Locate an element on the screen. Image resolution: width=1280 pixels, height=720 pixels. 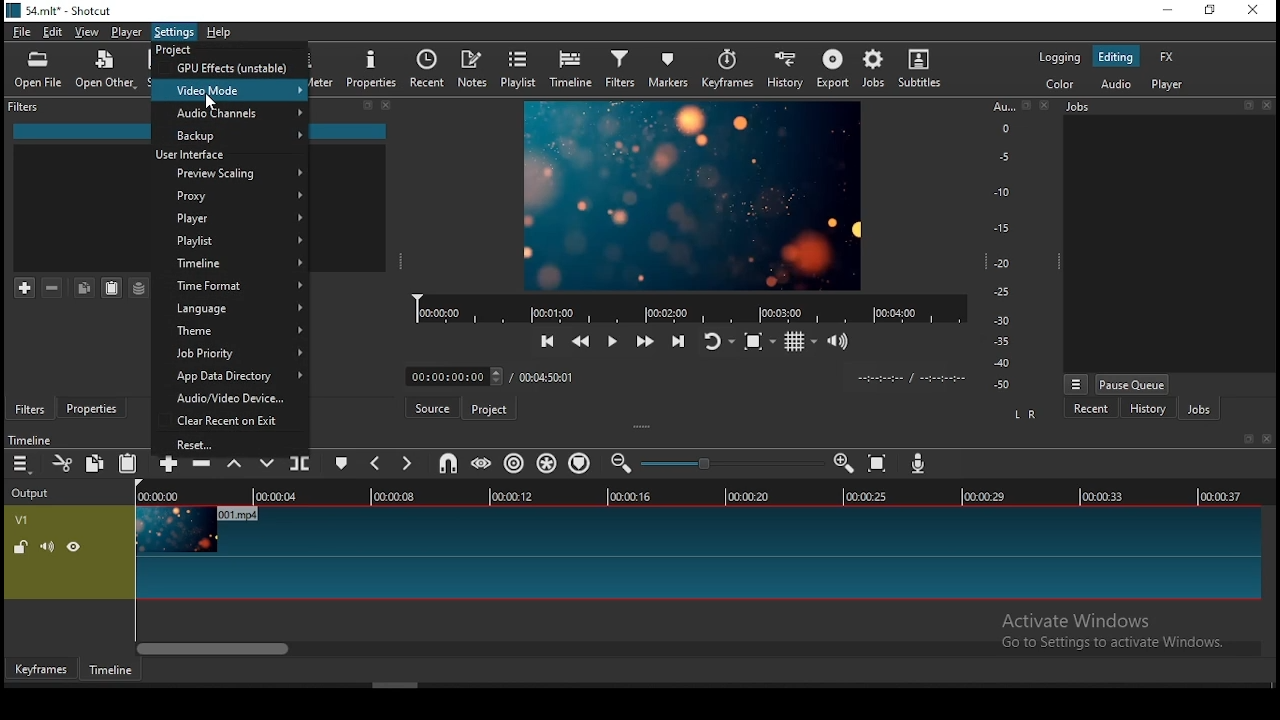
restore is located at coordinates (1208, 11).